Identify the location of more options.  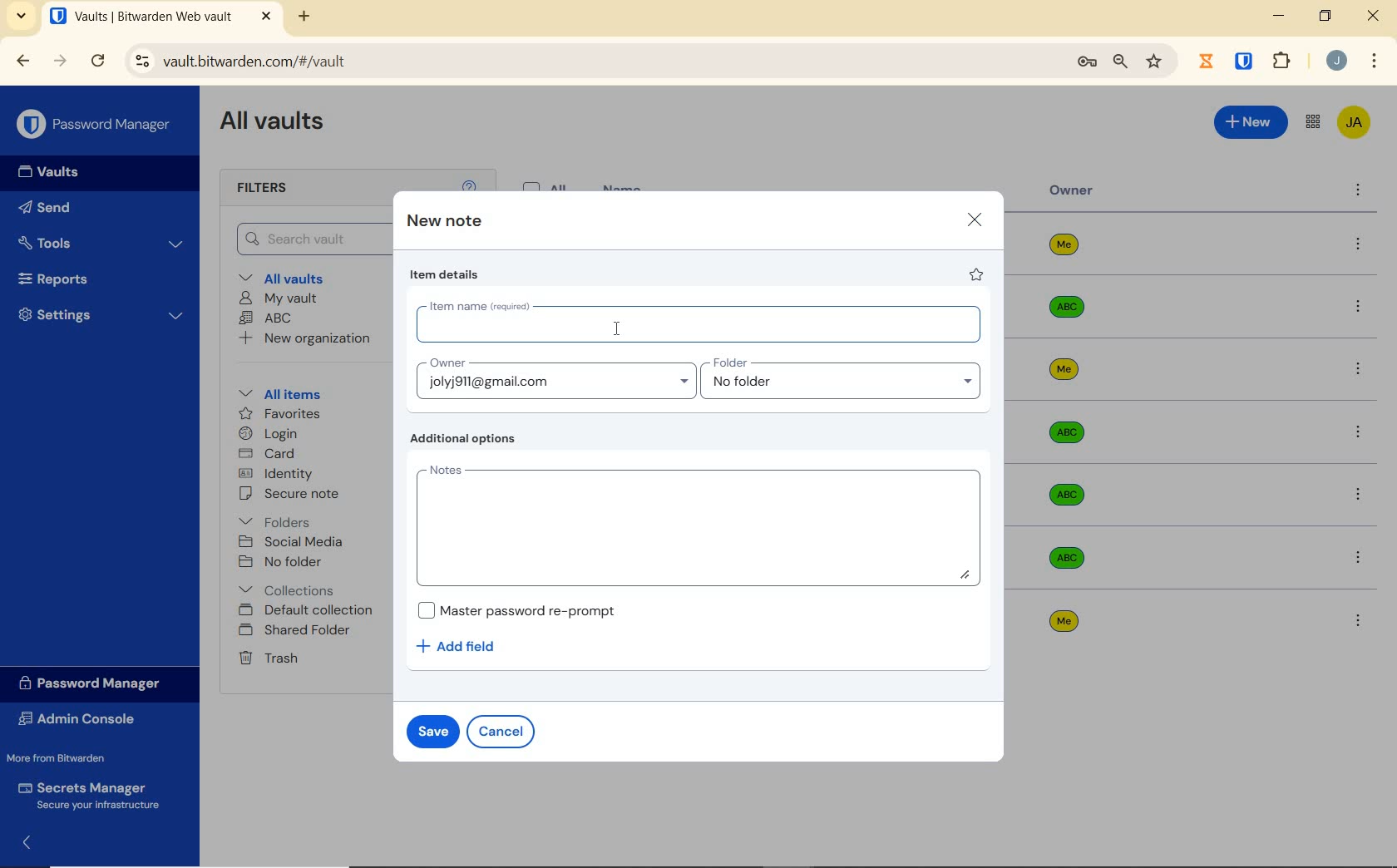
(1359, 245).